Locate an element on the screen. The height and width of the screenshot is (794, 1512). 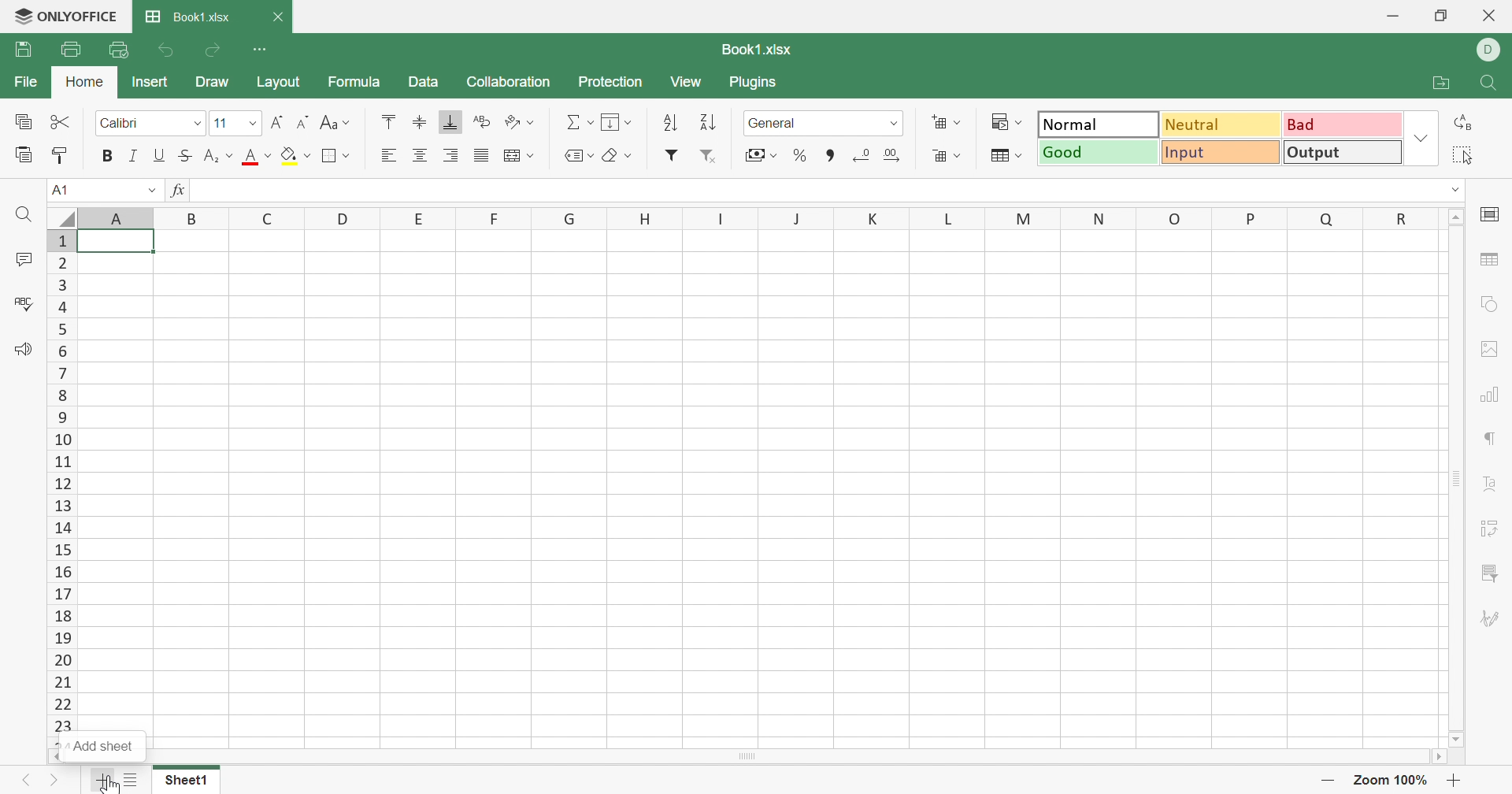
Conditional formatting is located at coordinates (1004, 122).